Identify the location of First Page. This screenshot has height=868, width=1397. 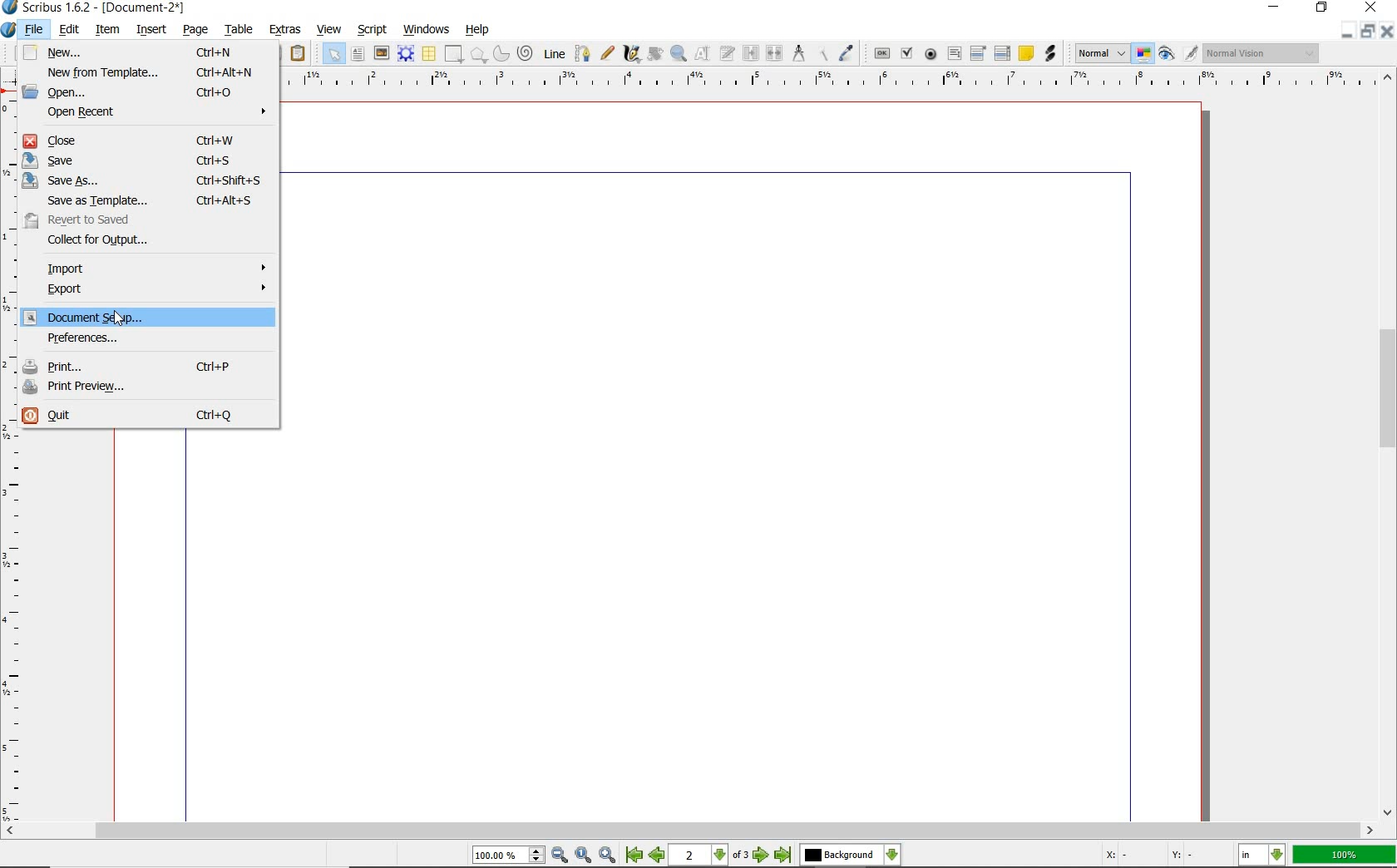
(634, 856).